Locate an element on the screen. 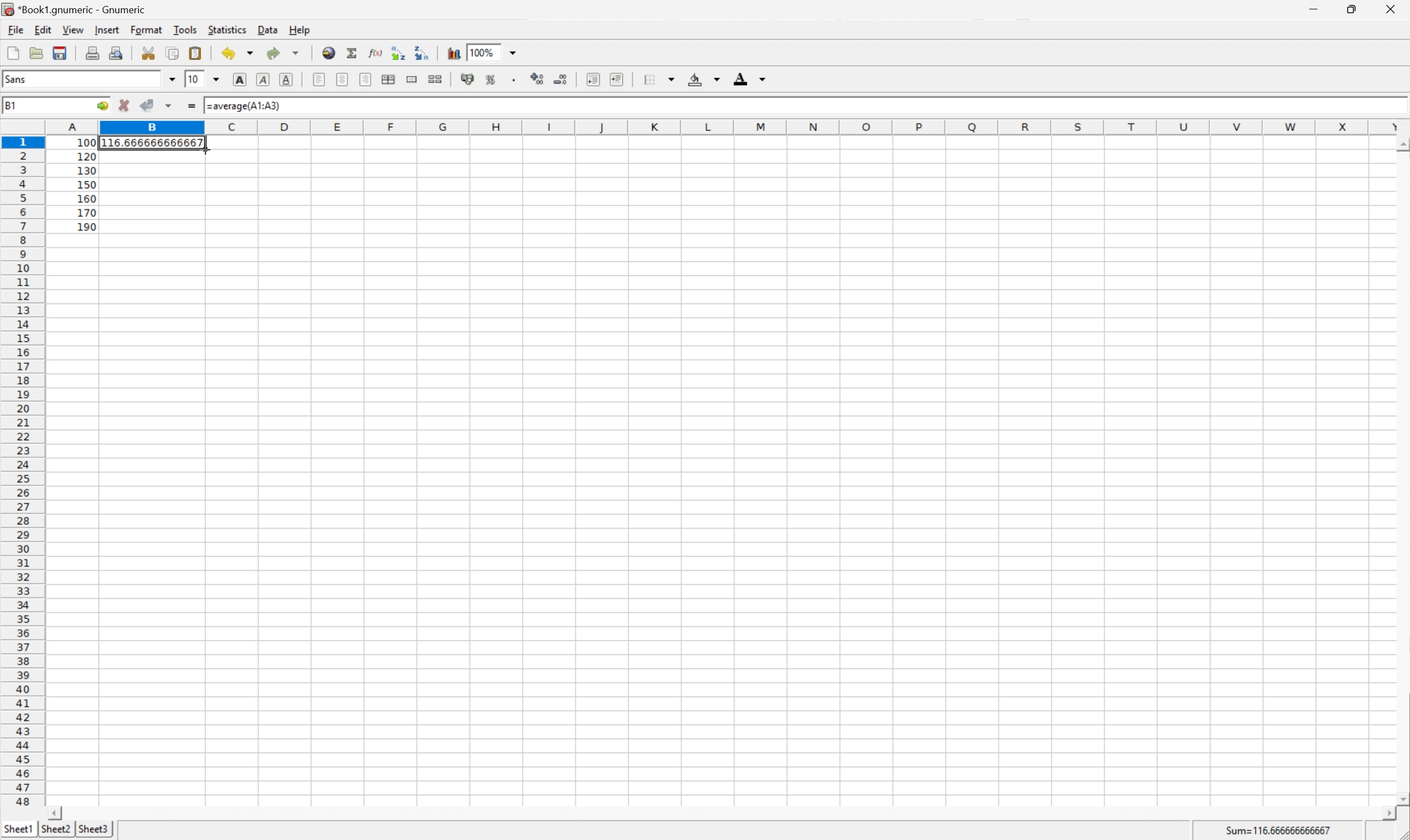 The width and height of the screenshot is (1410, 840). Create a new workbook is located at coordinates (11, 53).